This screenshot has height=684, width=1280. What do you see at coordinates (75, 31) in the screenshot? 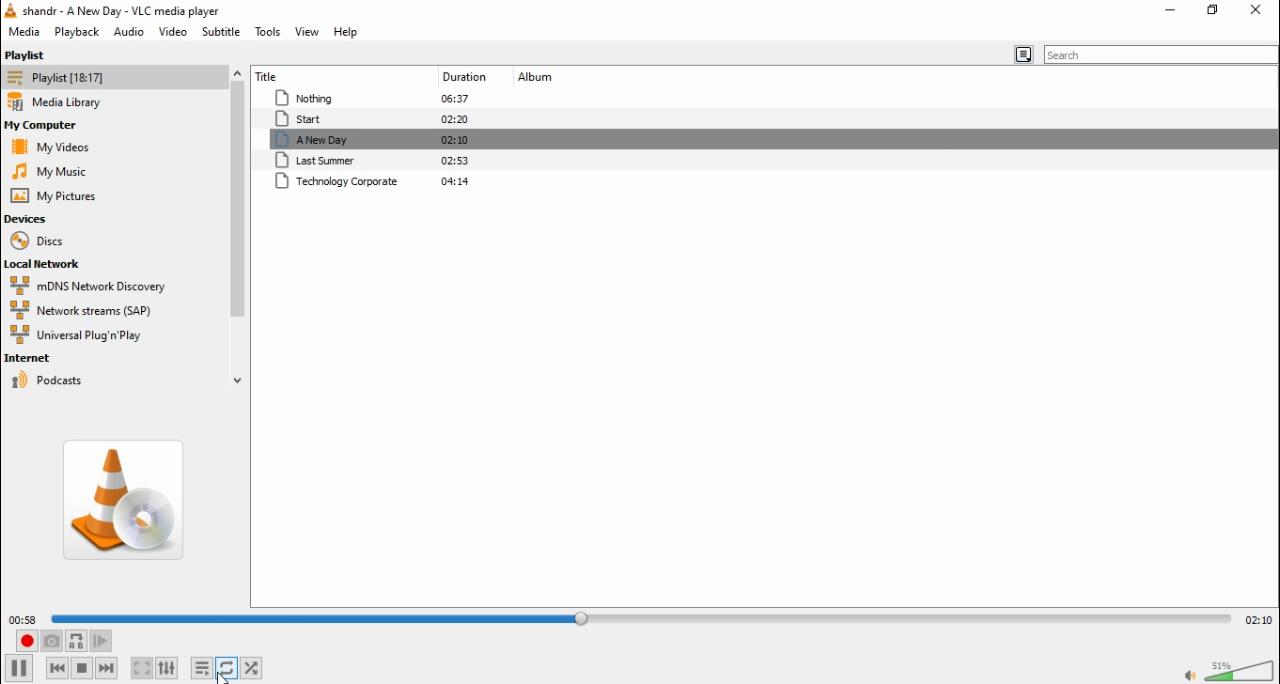
I see `playback` at bounding box center [75, 31].